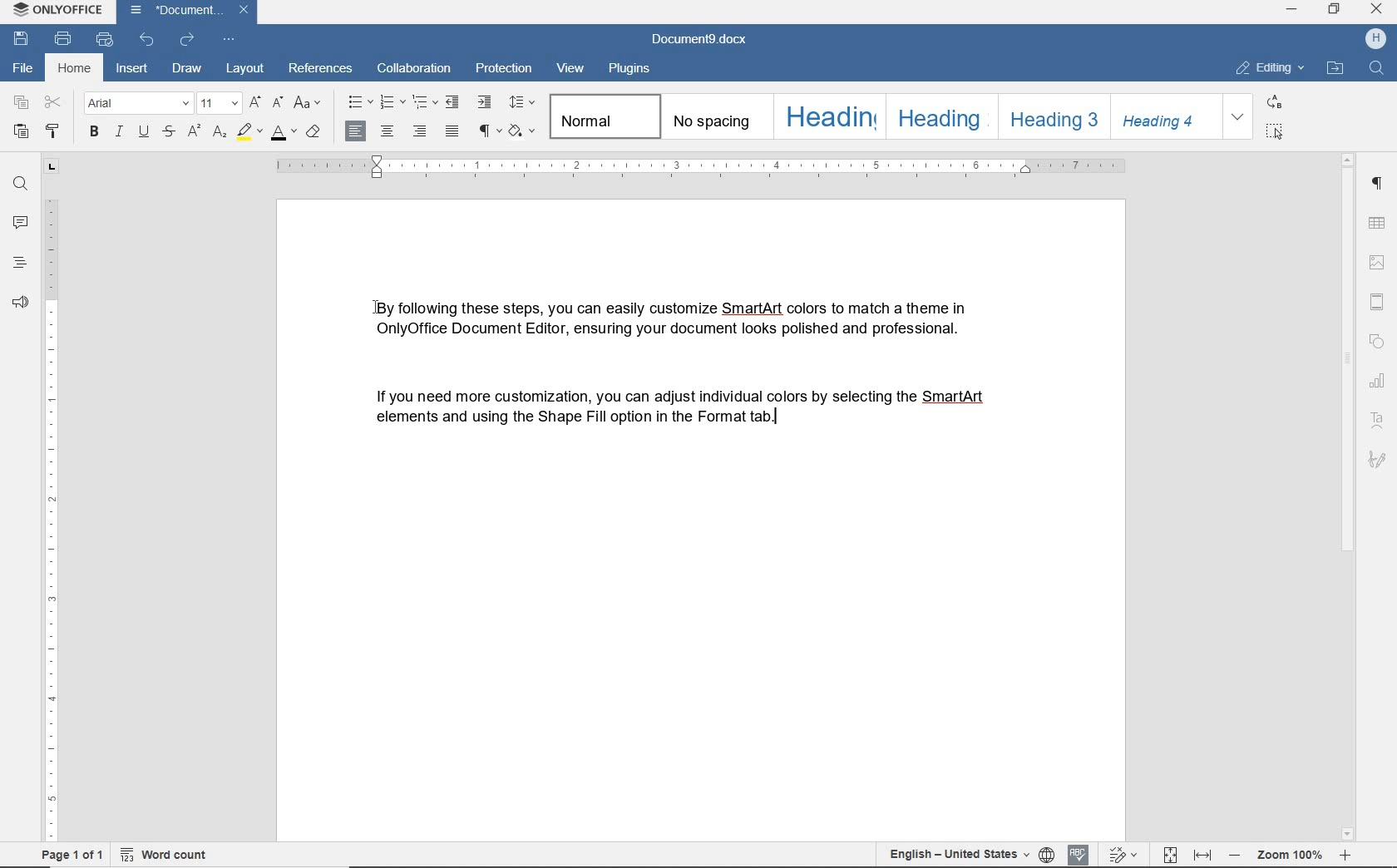 This screenshot has width=1397, height=868. I want to click on references, so click(322, 70).